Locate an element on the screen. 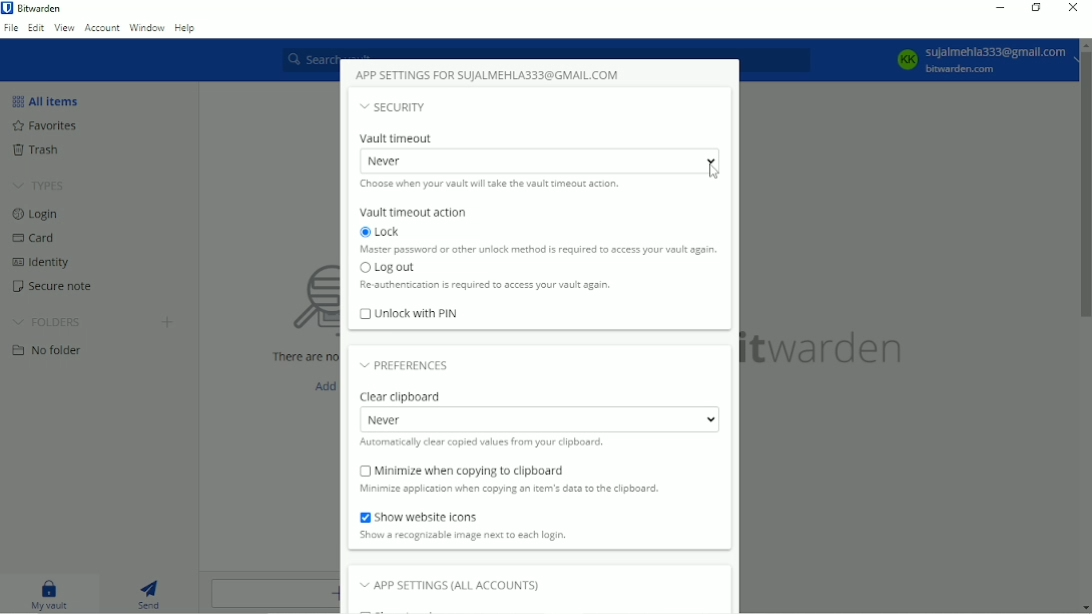 Image resolution: width=1092 pixels, height=614 pixels. Never is located at coordinates (538, 161).